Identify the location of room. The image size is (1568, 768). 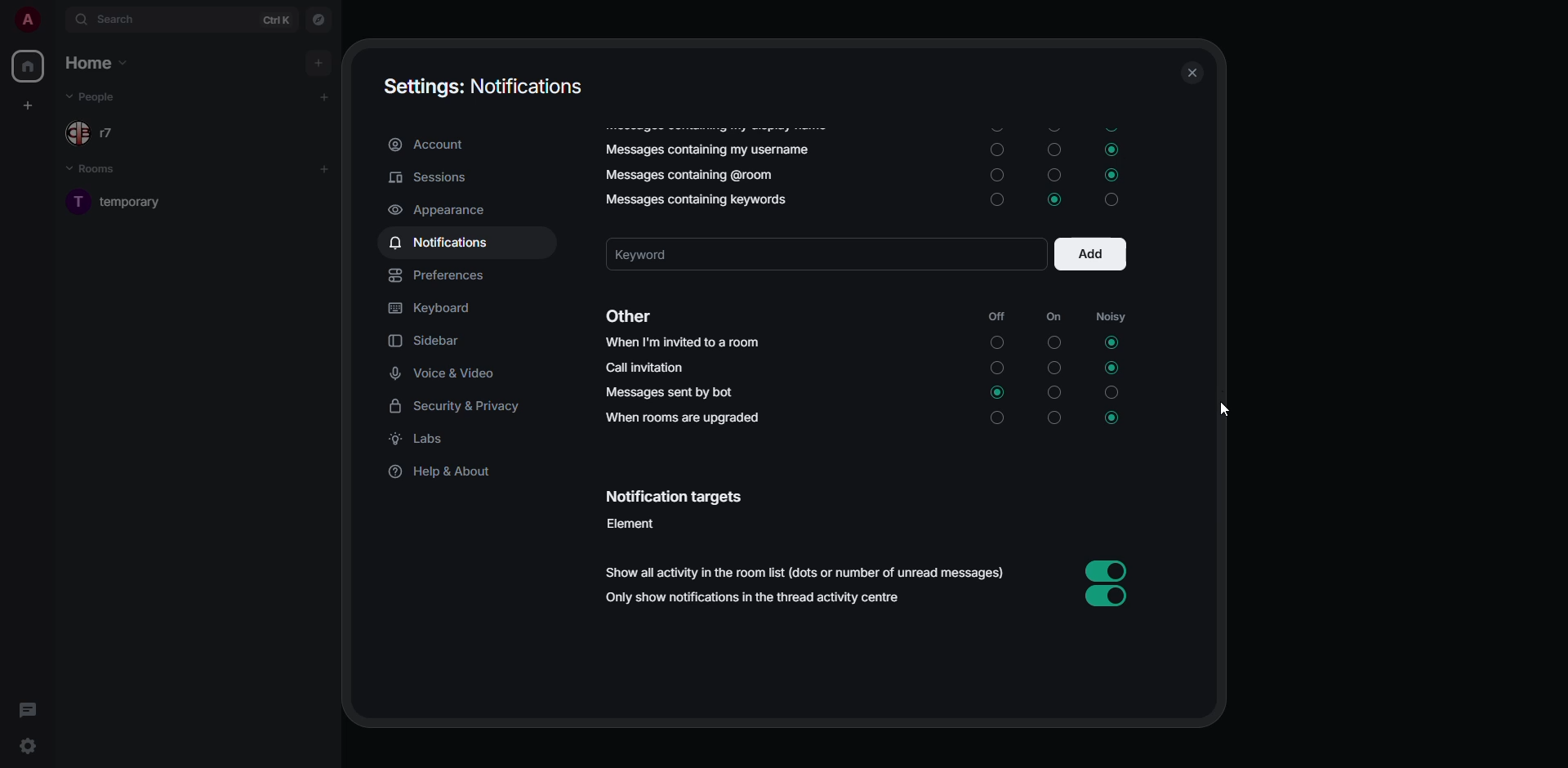
(137, 200).